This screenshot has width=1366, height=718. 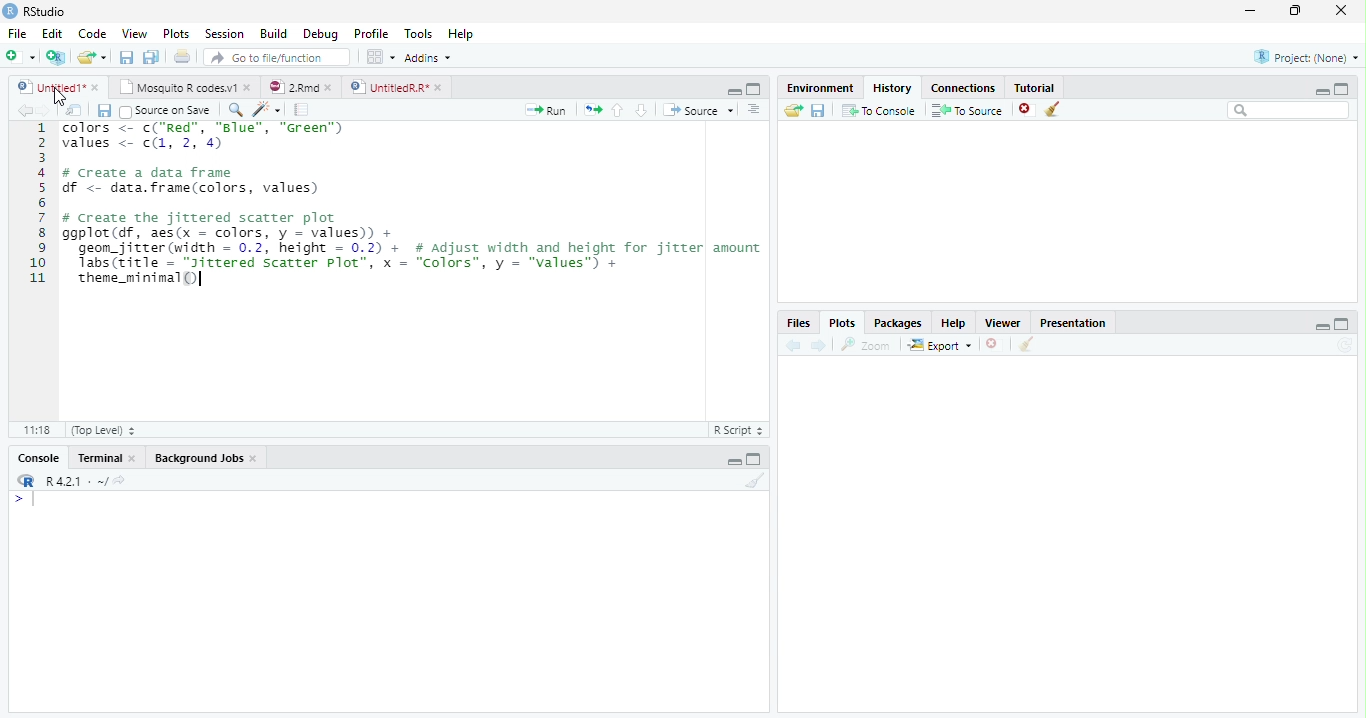 I want to click on Minimize, so click(x=1321, y=91).